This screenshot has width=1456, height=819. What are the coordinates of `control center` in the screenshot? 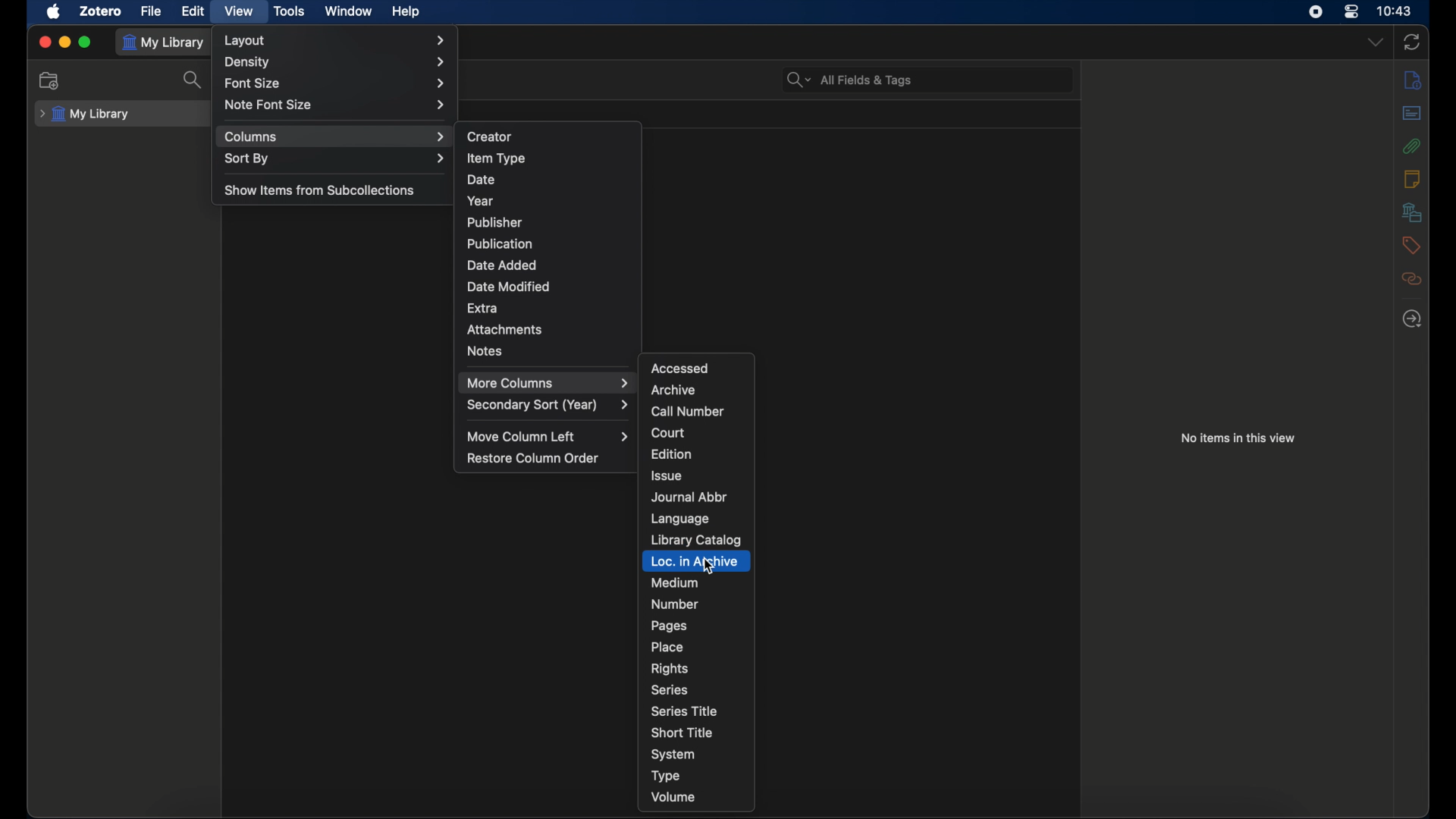 It's located at (1351, 12).